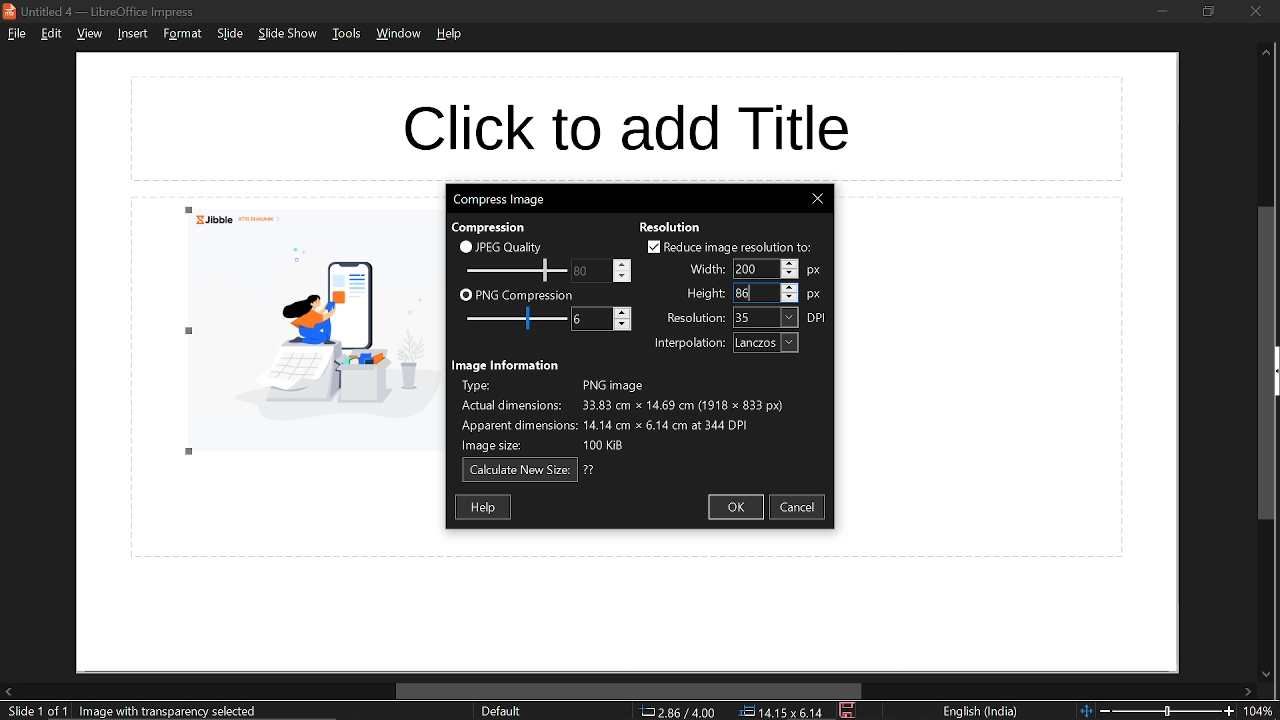 This screenshot has height=720, width=1280. Describe the element at coordinates (1262, 712) in the screenshot. I see `current zoom` at that location.